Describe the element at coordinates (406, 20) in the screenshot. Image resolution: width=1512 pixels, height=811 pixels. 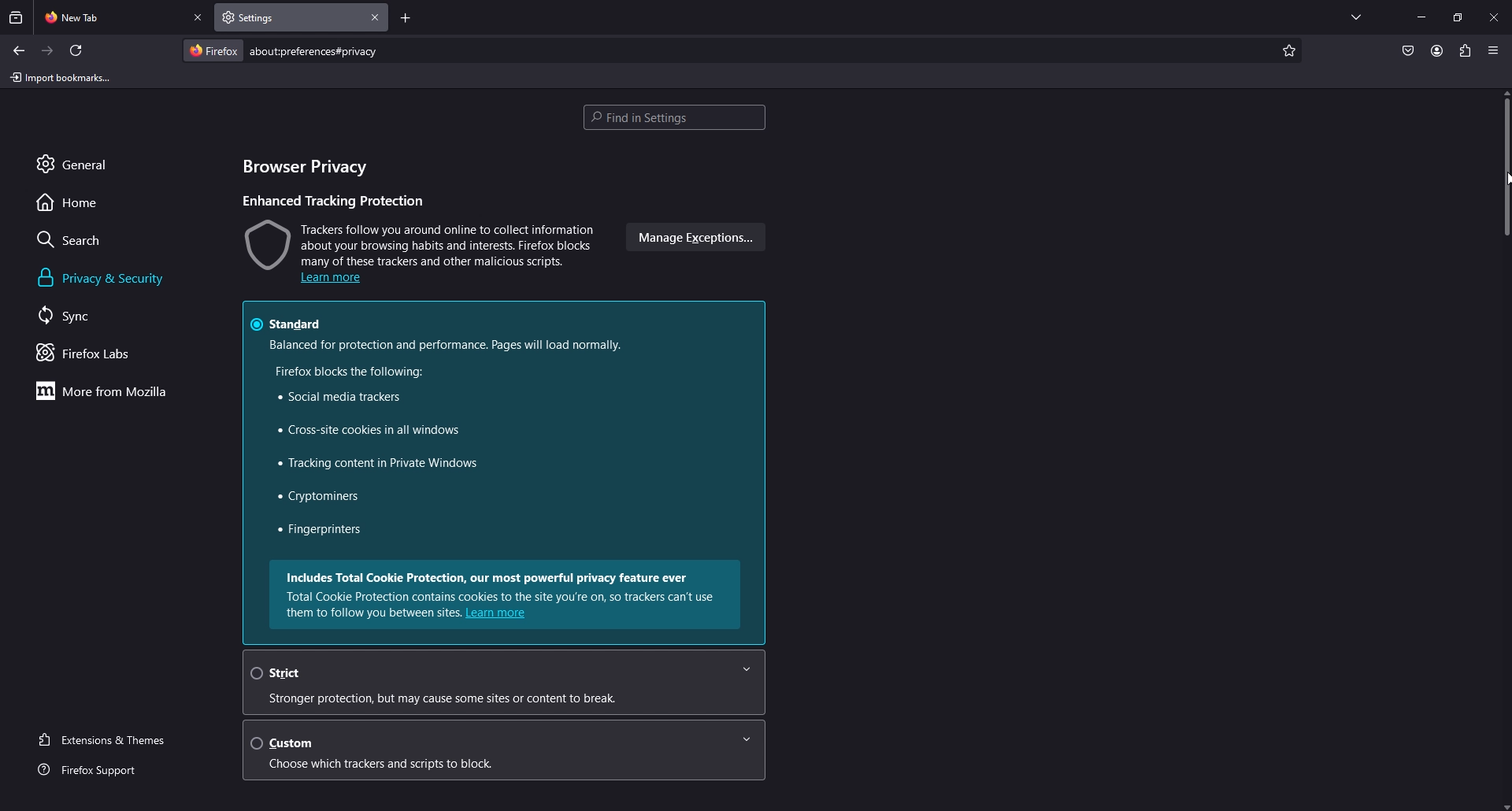
I see `add tab` at that location.